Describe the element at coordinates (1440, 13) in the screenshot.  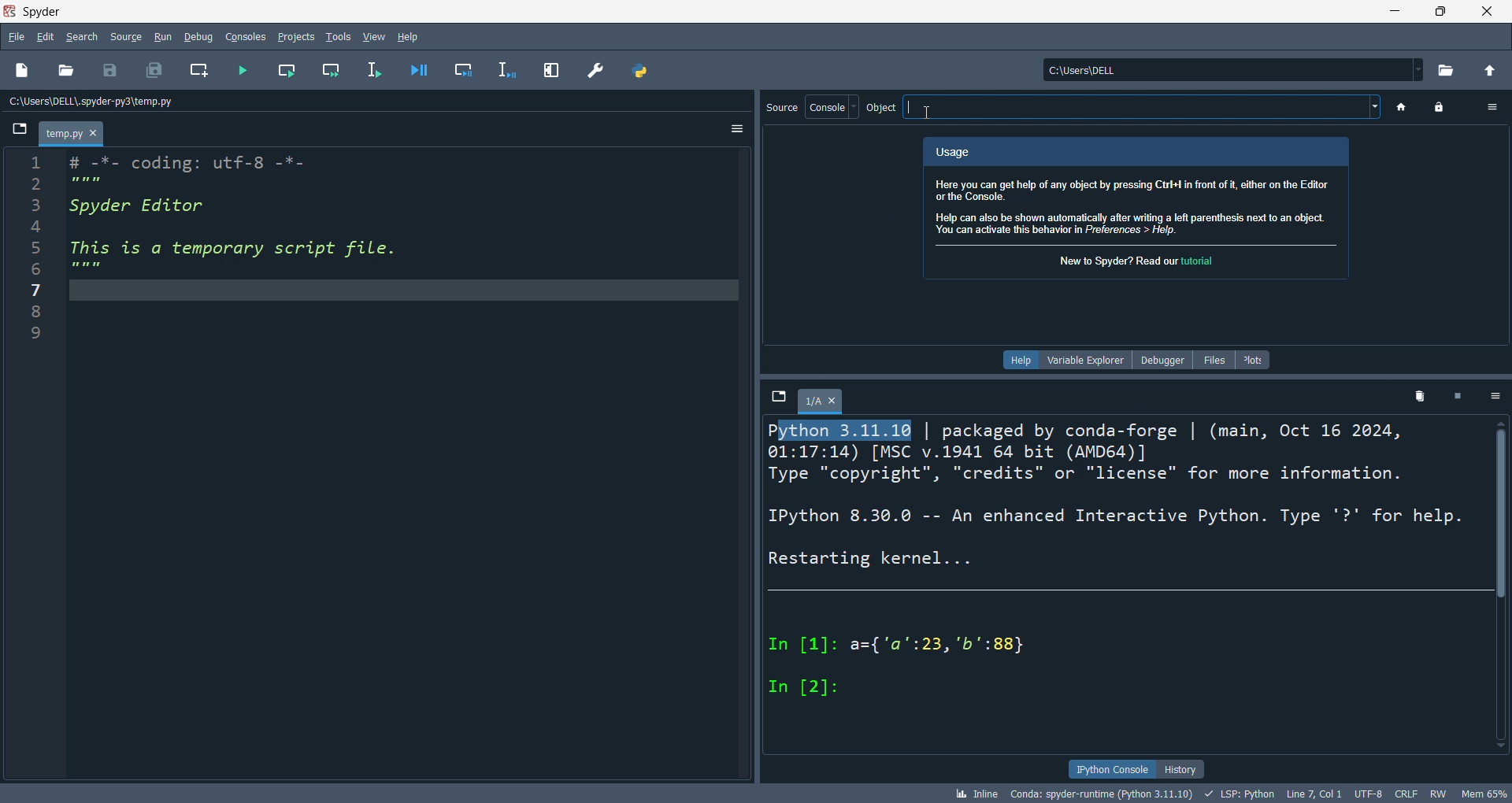
I see `maximize` at that location.